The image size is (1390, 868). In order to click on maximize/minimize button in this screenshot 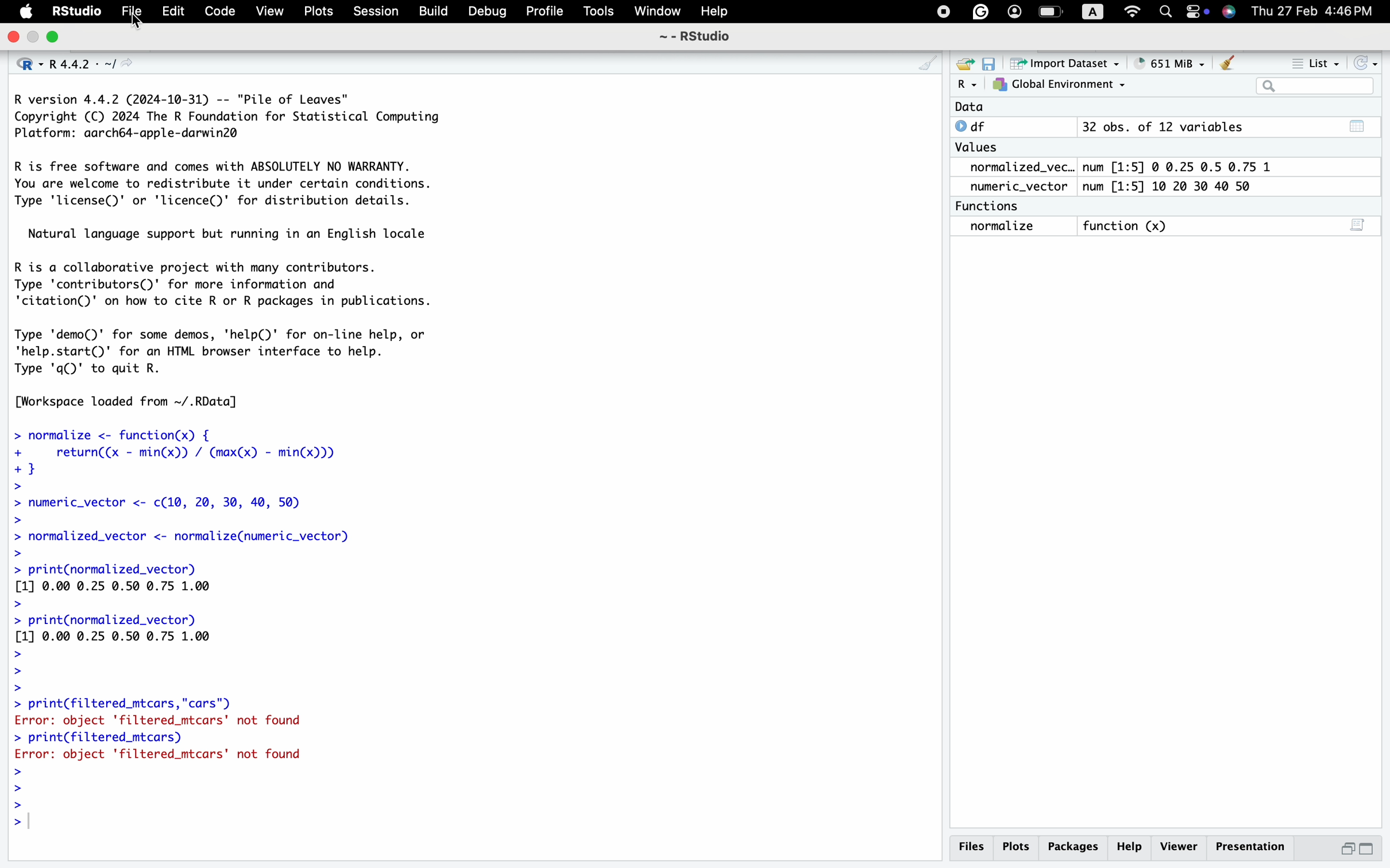, I will do `click(1358, 848)`.